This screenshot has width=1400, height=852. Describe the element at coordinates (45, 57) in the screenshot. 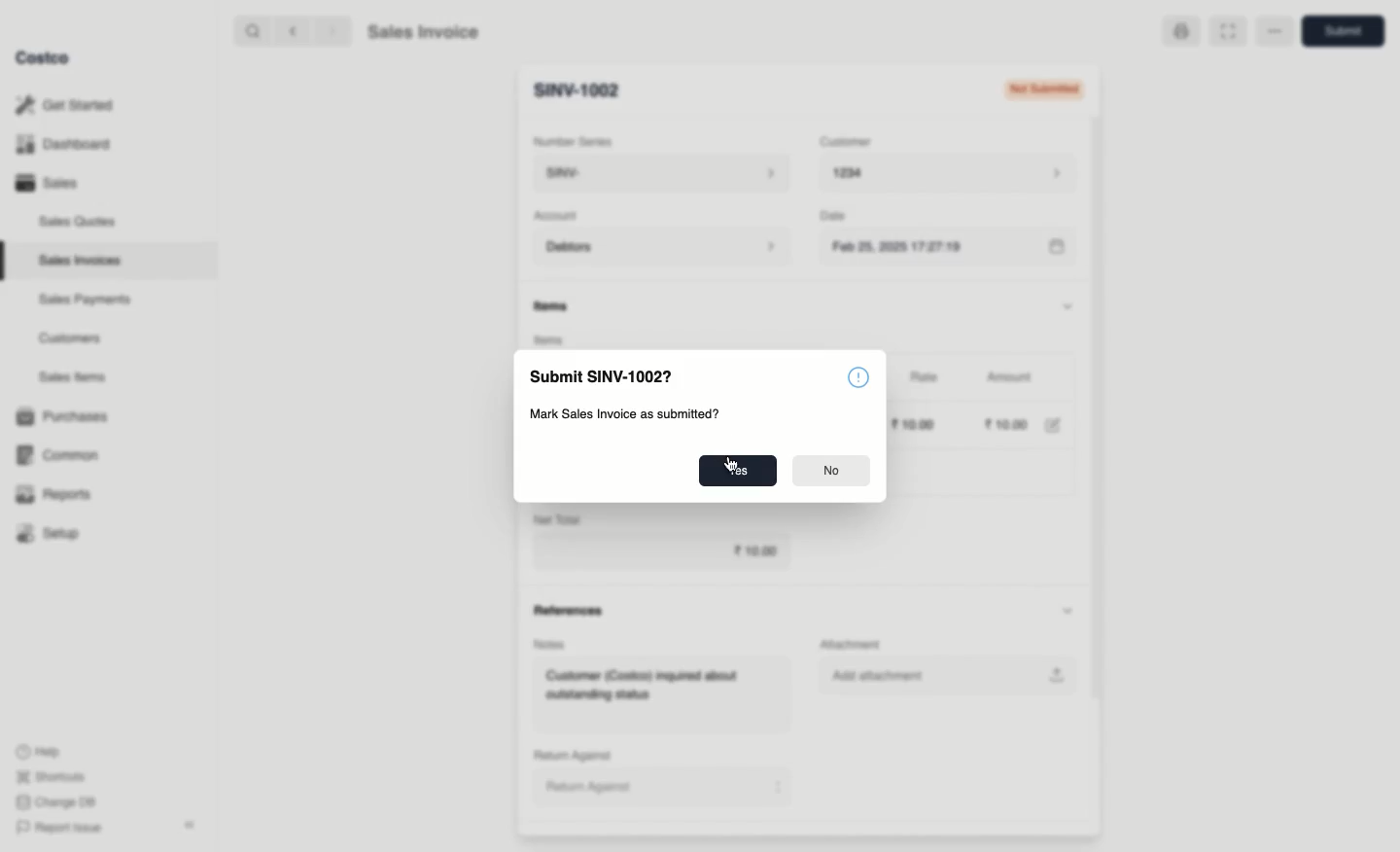

I see `Costco` at that location.